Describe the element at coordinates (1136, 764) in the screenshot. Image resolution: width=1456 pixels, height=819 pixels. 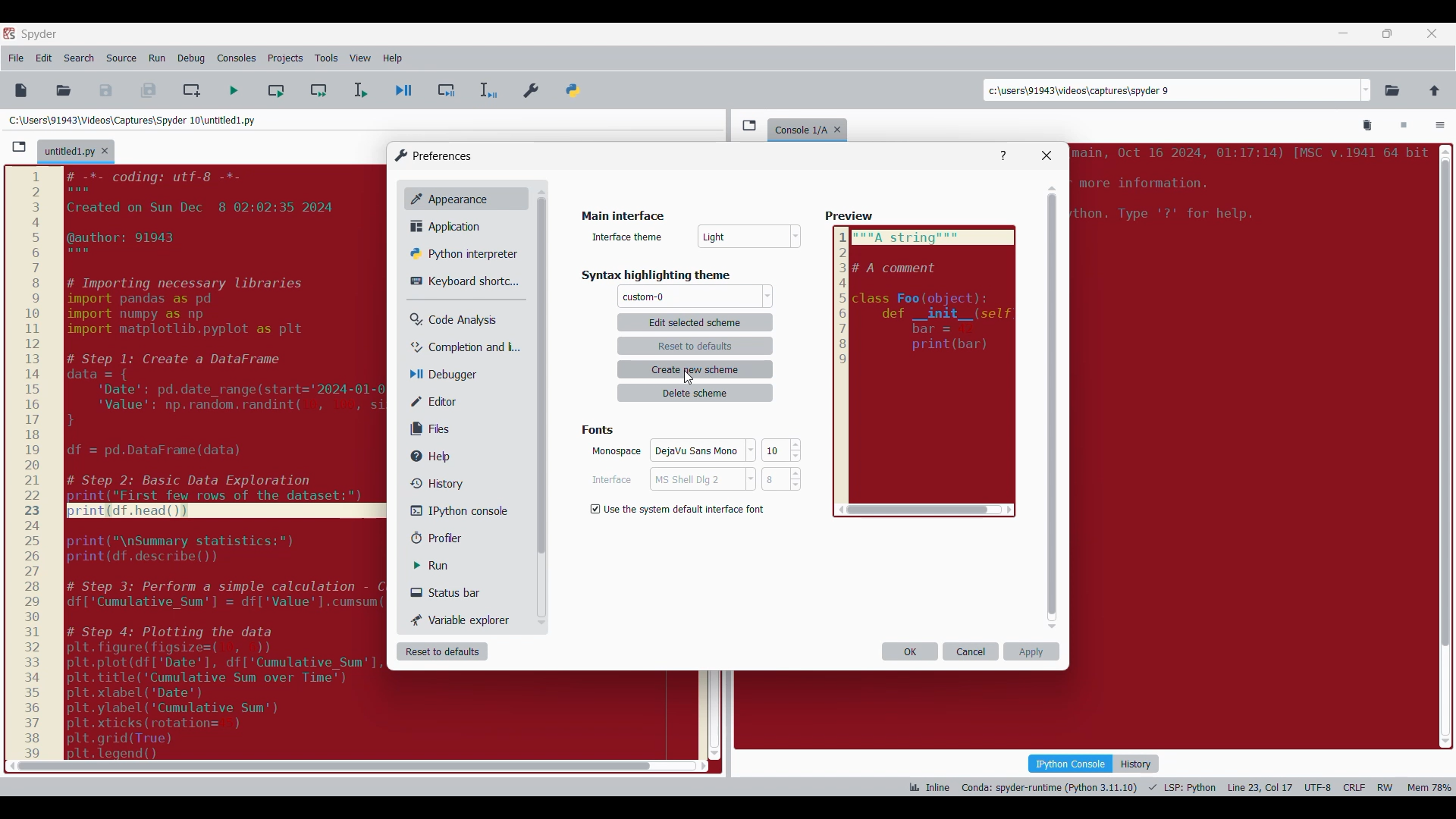
I see `History` at that location.